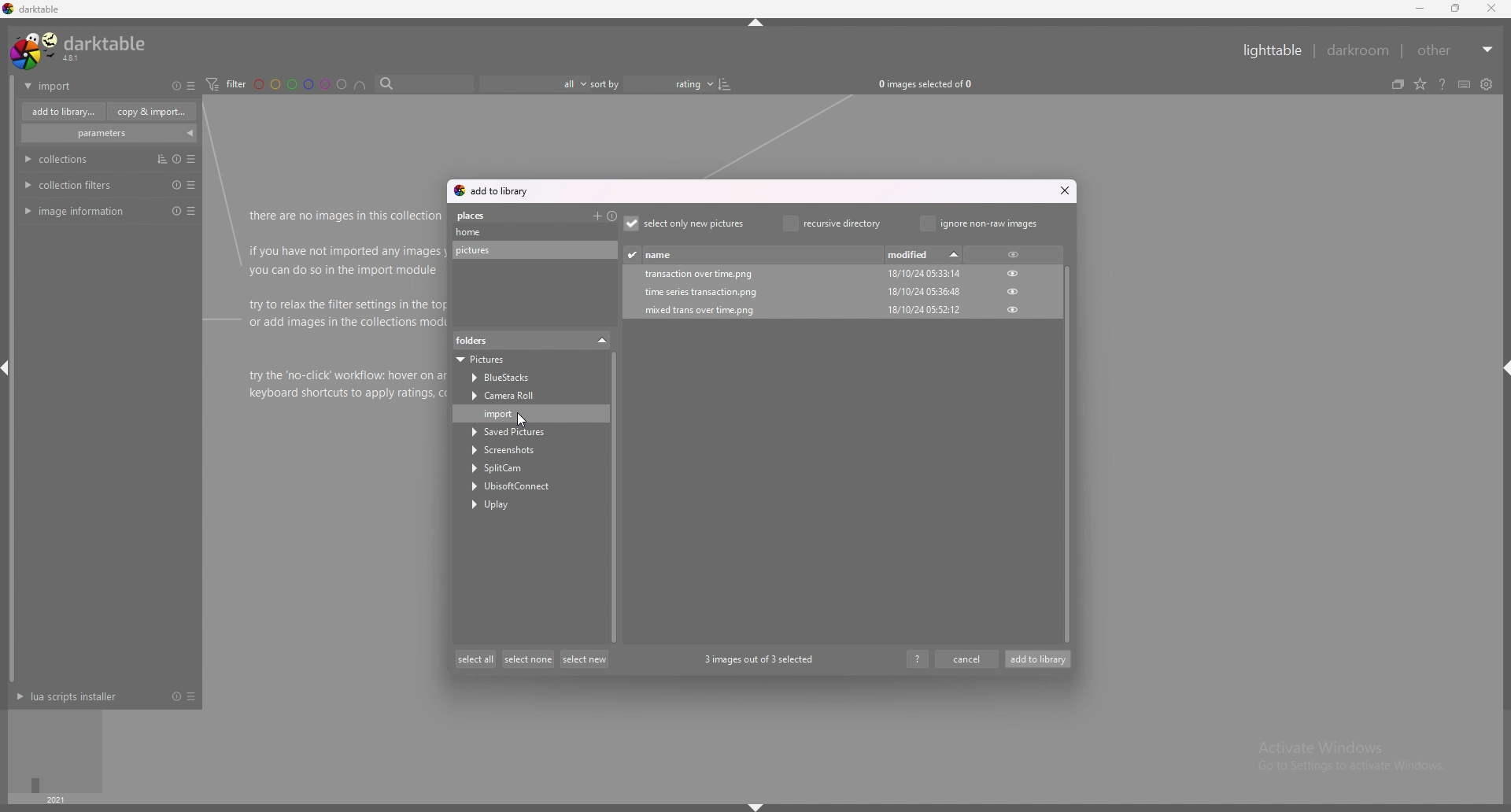  What do you see at coordinates (64, 112) in the screenshot?
I see `add to library` at bounding box center [64, 112].